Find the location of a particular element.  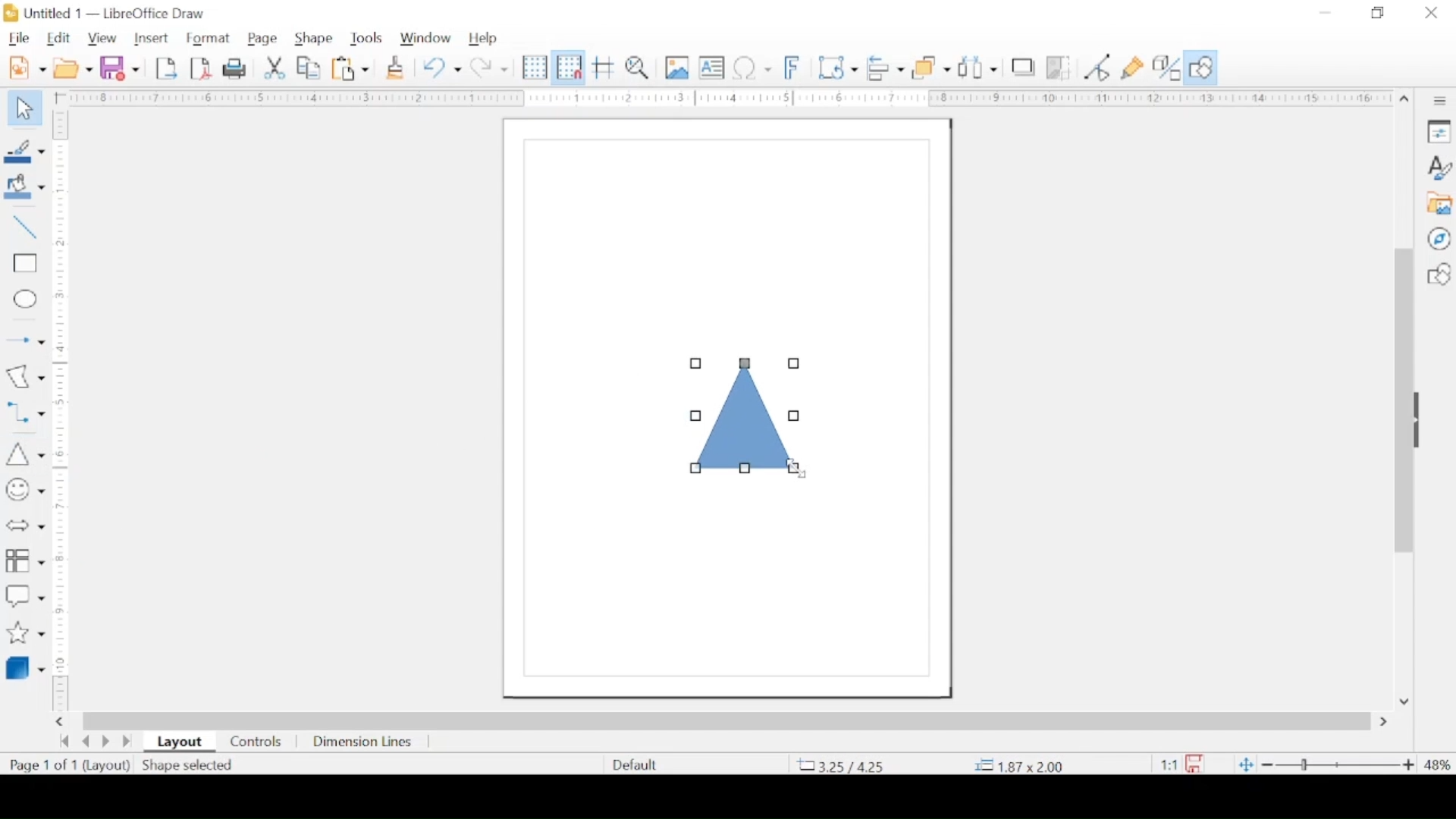

resize handle is located at coordinates (794, 363).